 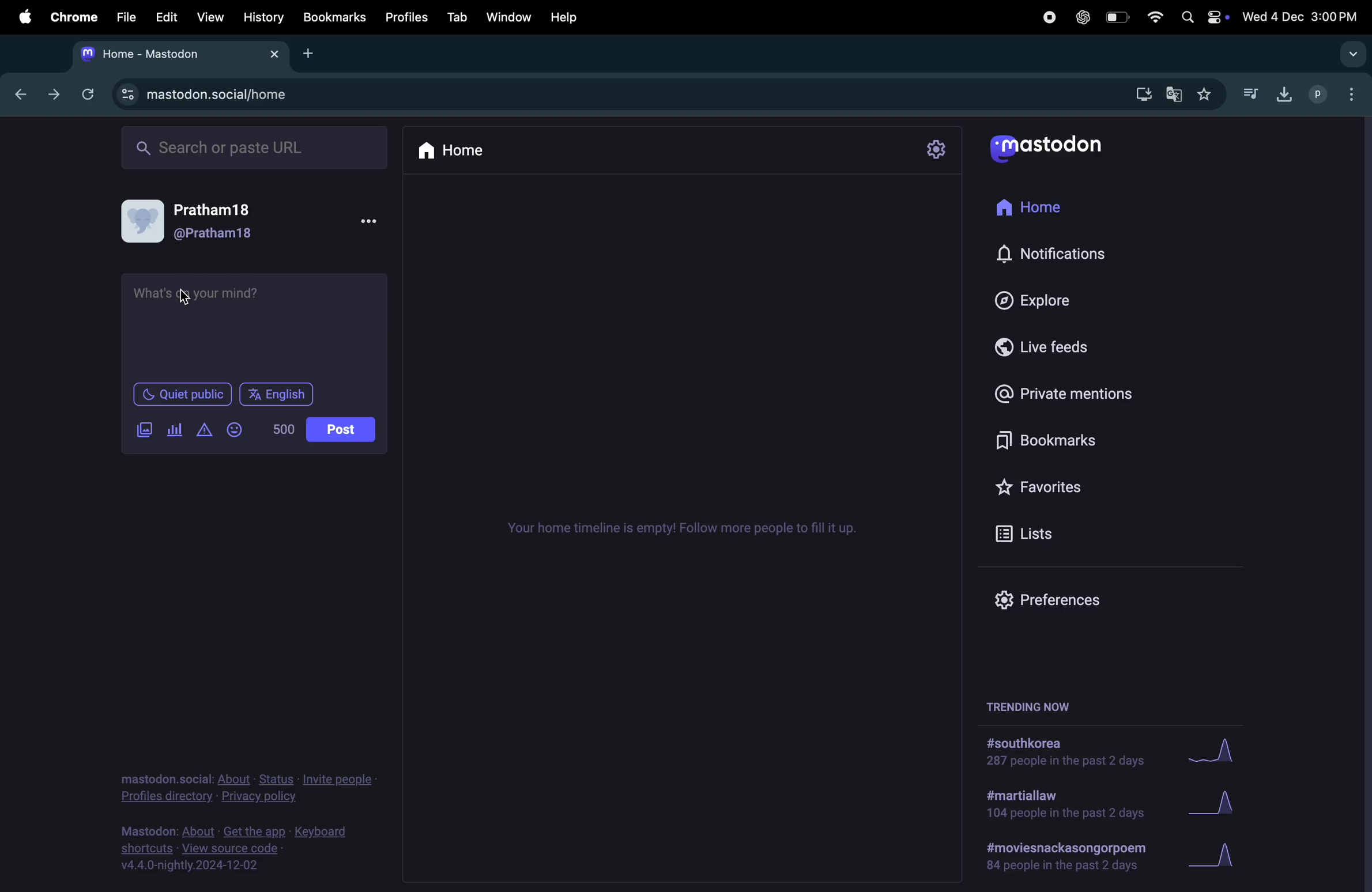 I want to click on music, so click(x=1249, y=90).